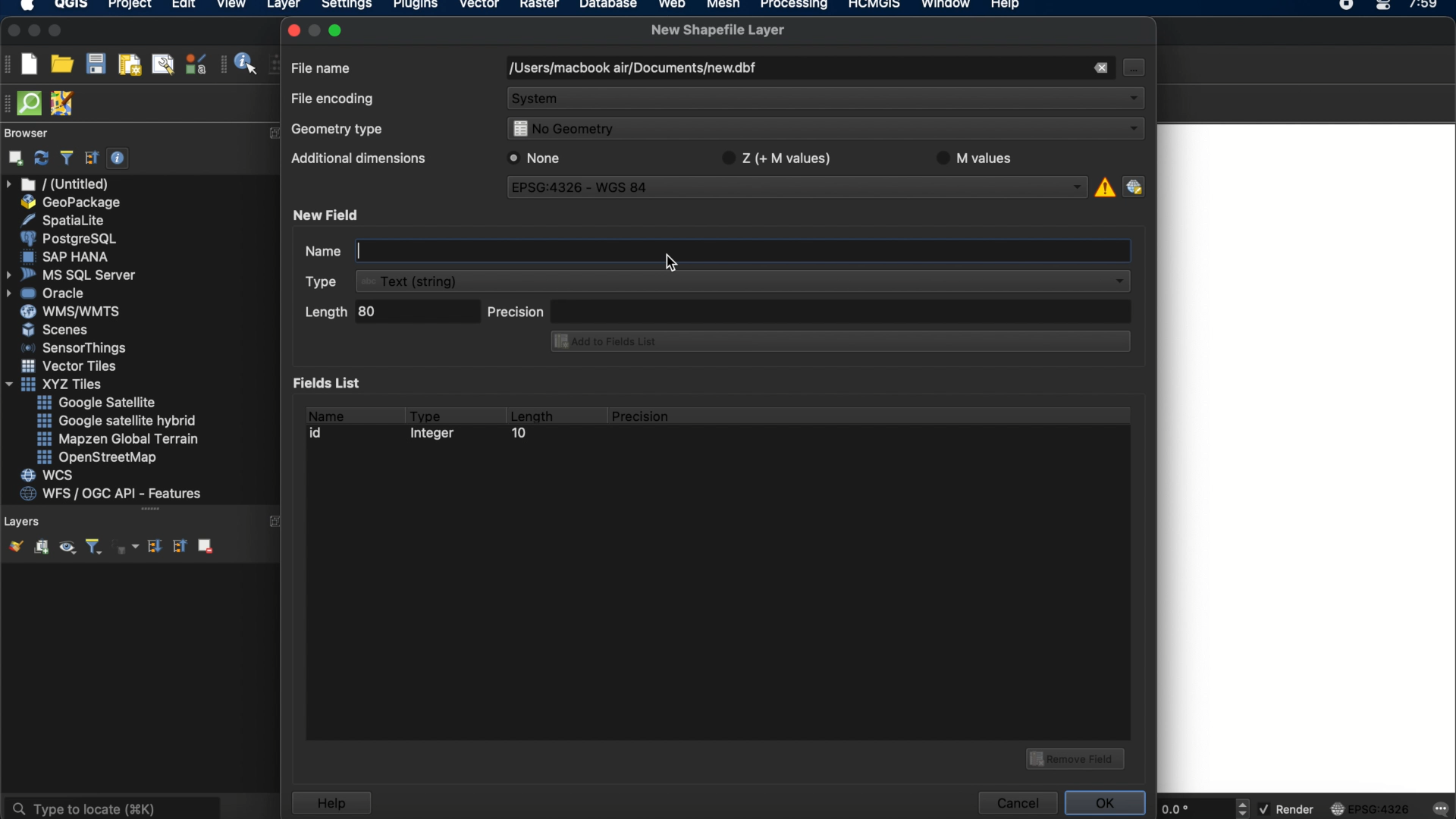 The width and height of the screenshot is (1456, 819). What do you see at coordinates (284, 8) in the screenshot?
I see `layer` at bounding box center [284, 8].